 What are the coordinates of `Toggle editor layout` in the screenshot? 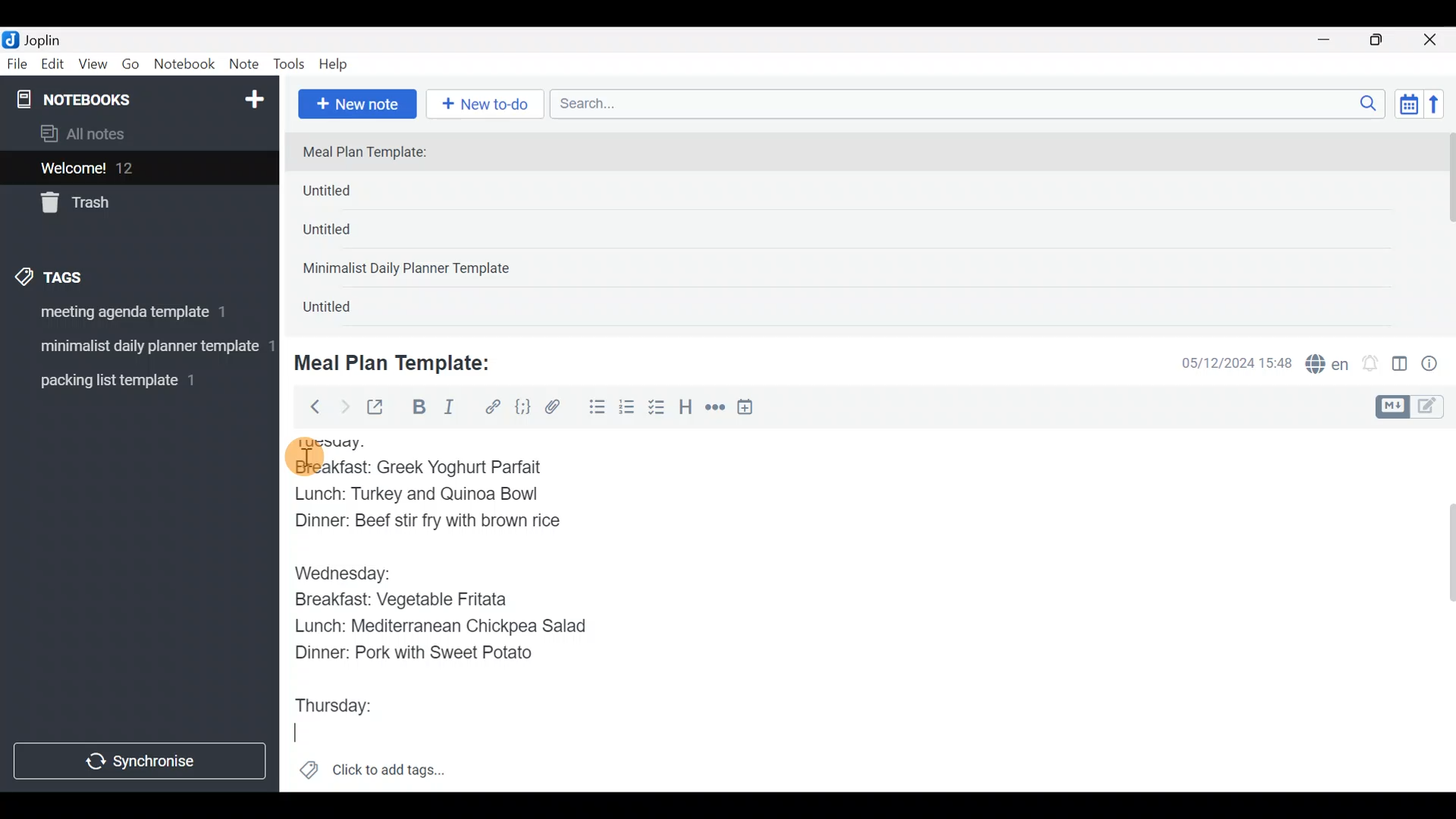 It's located at (1401, 366).